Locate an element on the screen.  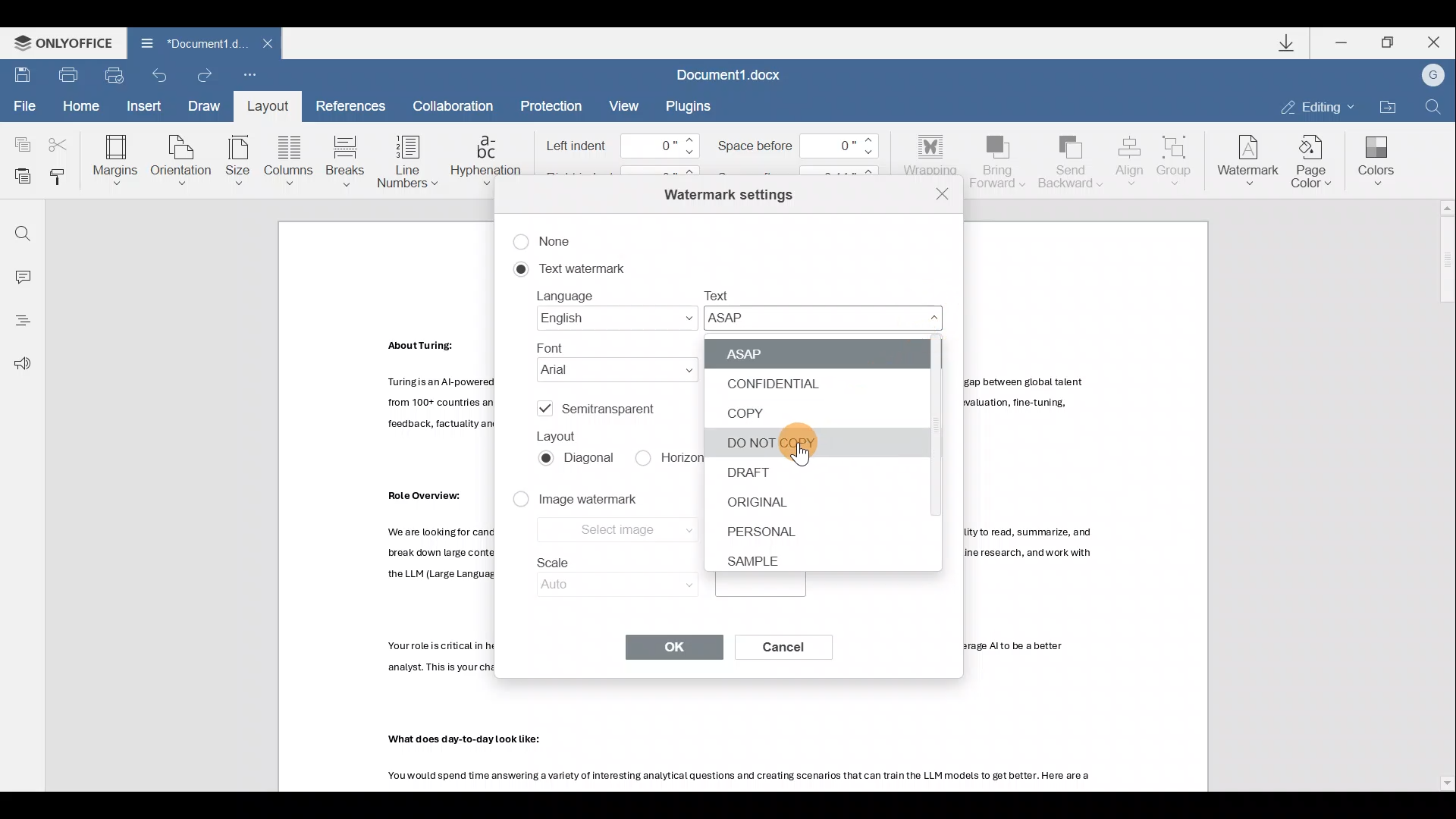
Send backward is located at coordinates (1072, 160).